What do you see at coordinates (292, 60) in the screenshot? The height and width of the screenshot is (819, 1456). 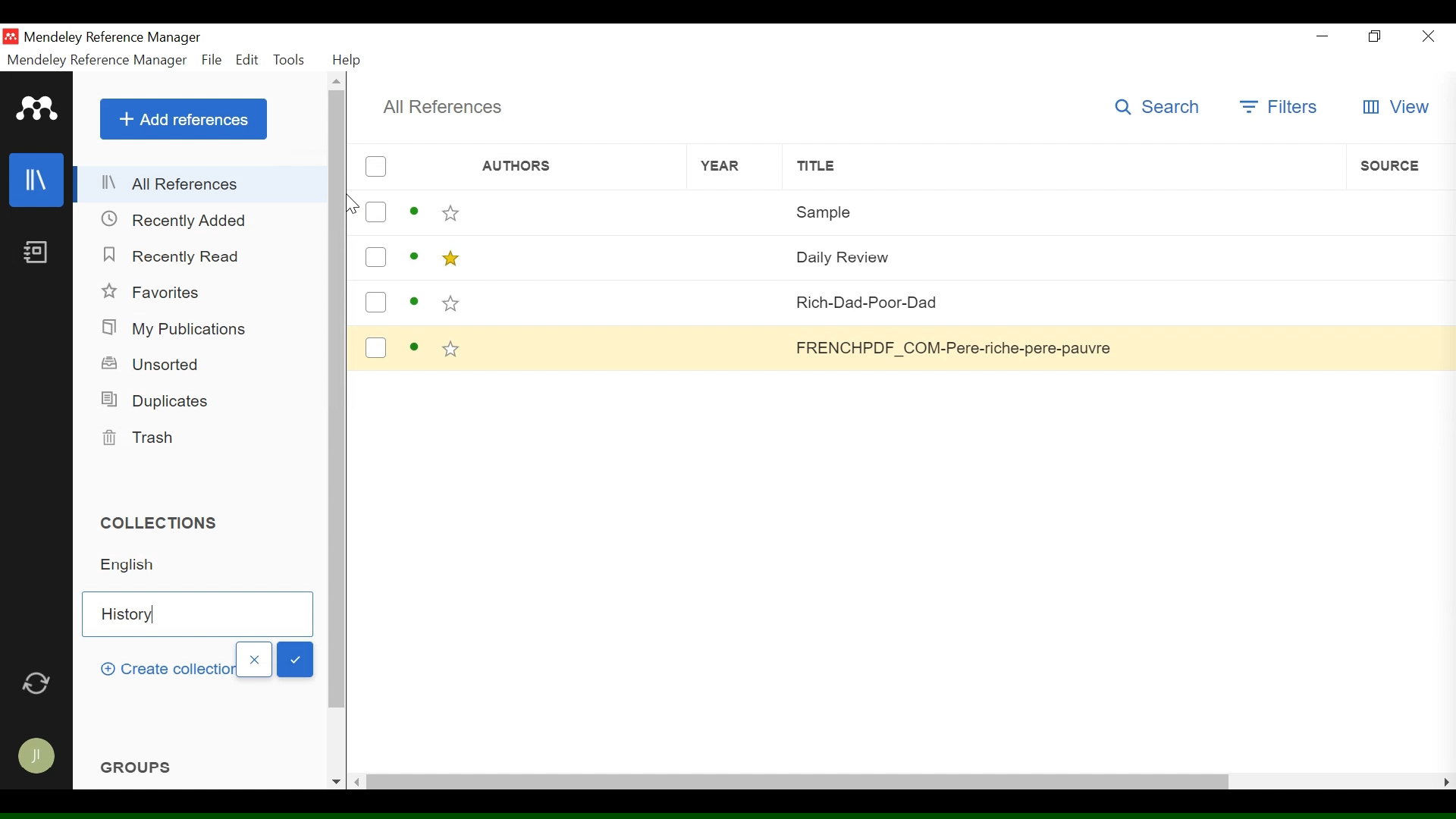 I see `Tools` at bounding box center [292, 60].